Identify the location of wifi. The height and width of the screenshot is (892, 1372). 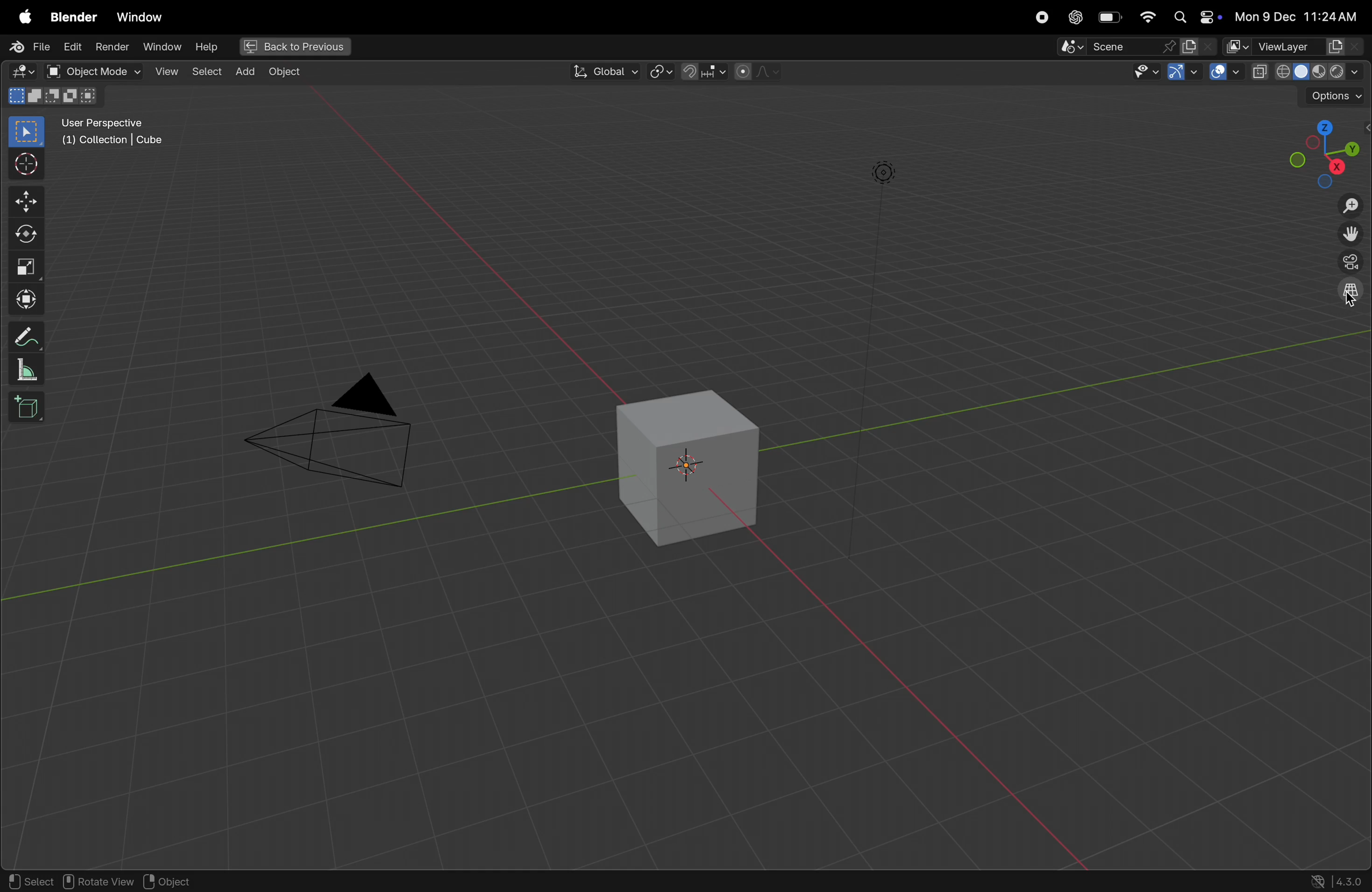
(1148, 16).